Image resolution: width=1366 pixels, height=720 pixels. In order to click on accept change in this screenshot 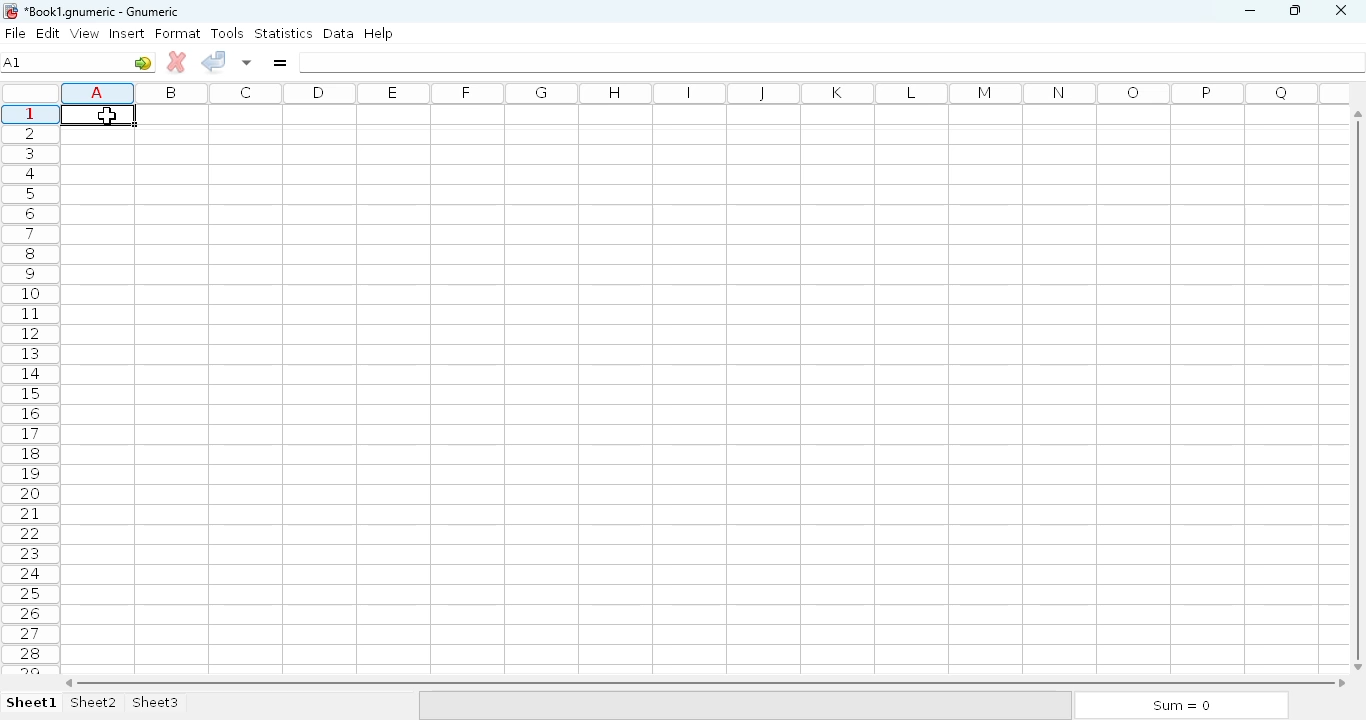, I will do `click(213, 60)`.